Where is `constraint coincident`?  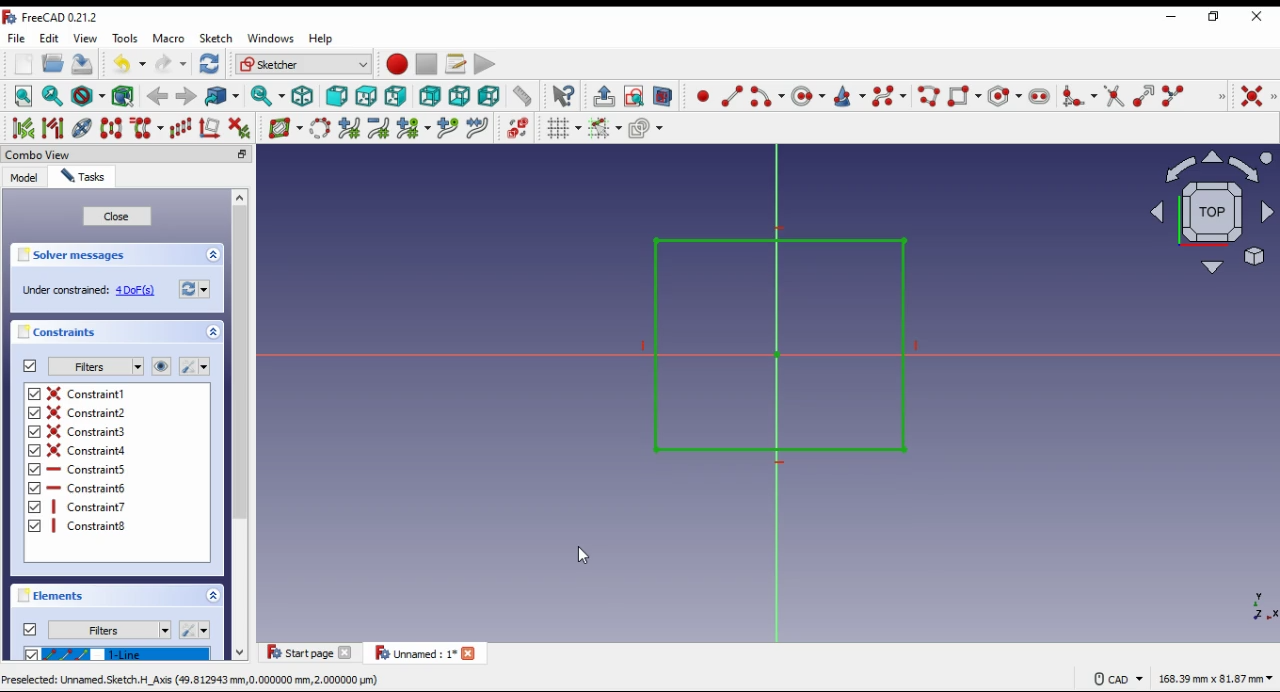
constraint coincident is located at coordinates (1258, 97).